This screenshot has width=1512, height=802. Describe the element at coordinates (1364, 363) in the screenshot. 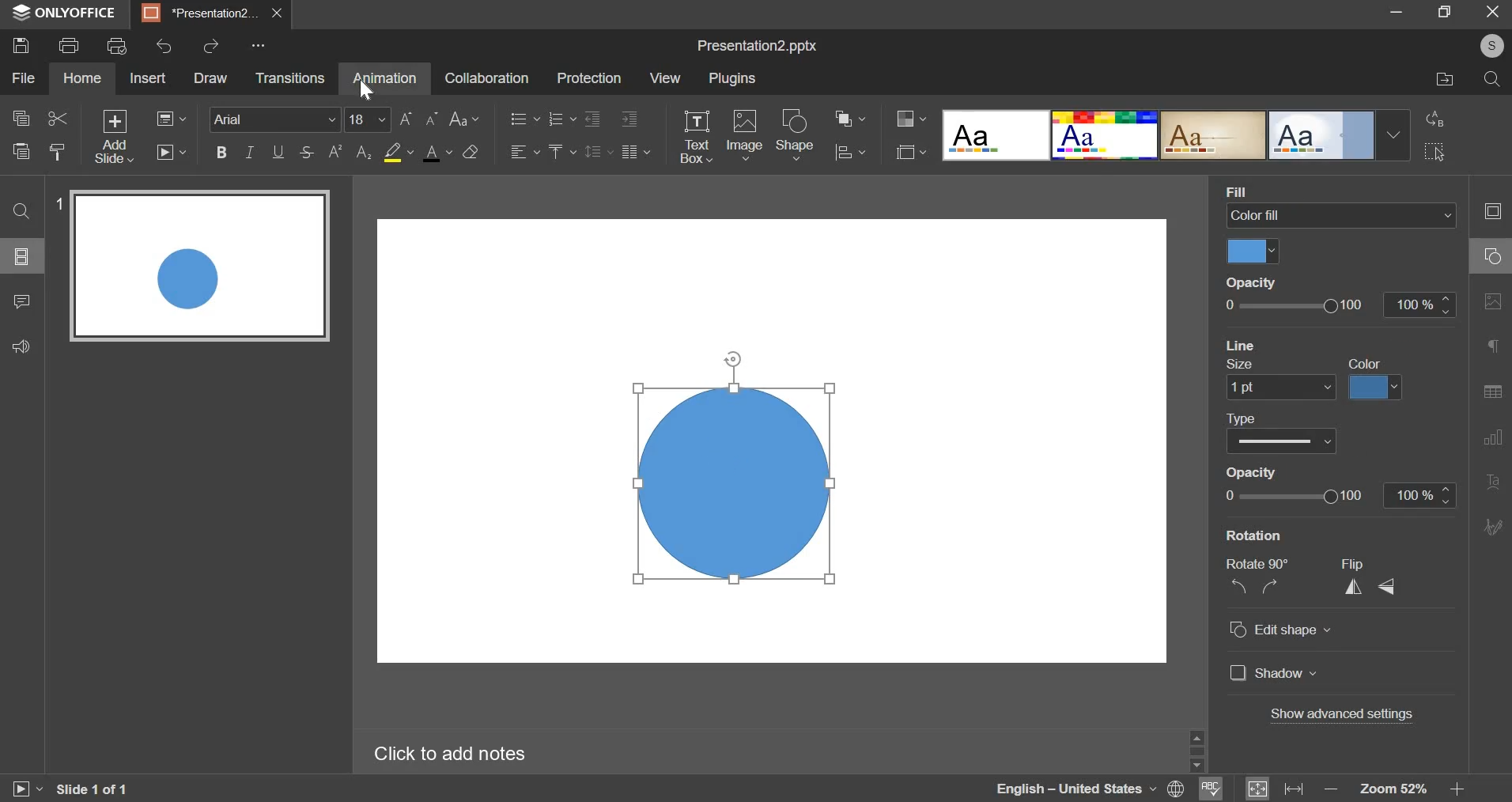

I see `color fill` at that location.